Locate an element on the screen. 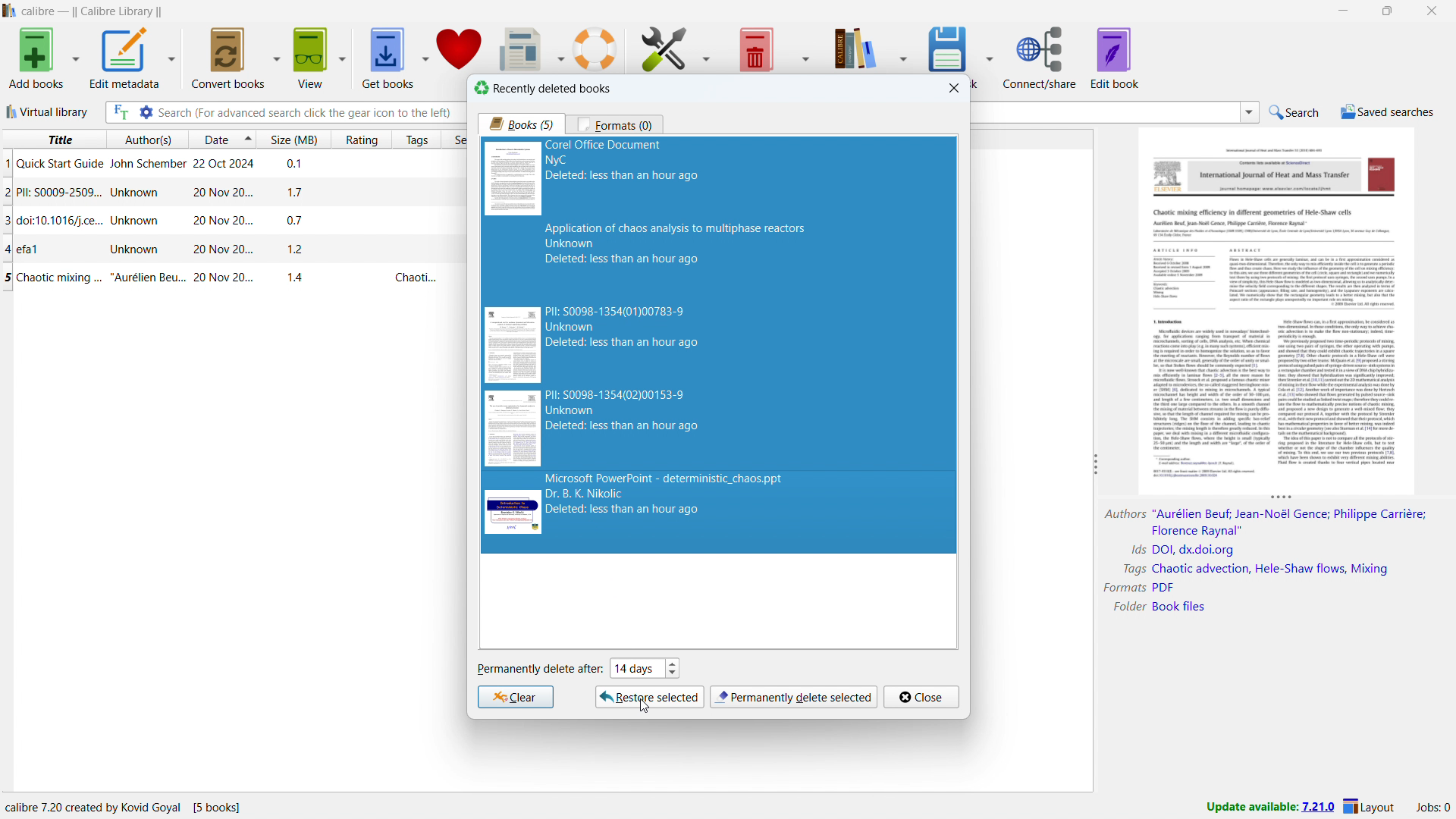 The image size is (1456, 819). do a quick search is located at coordinates (1295, 113).